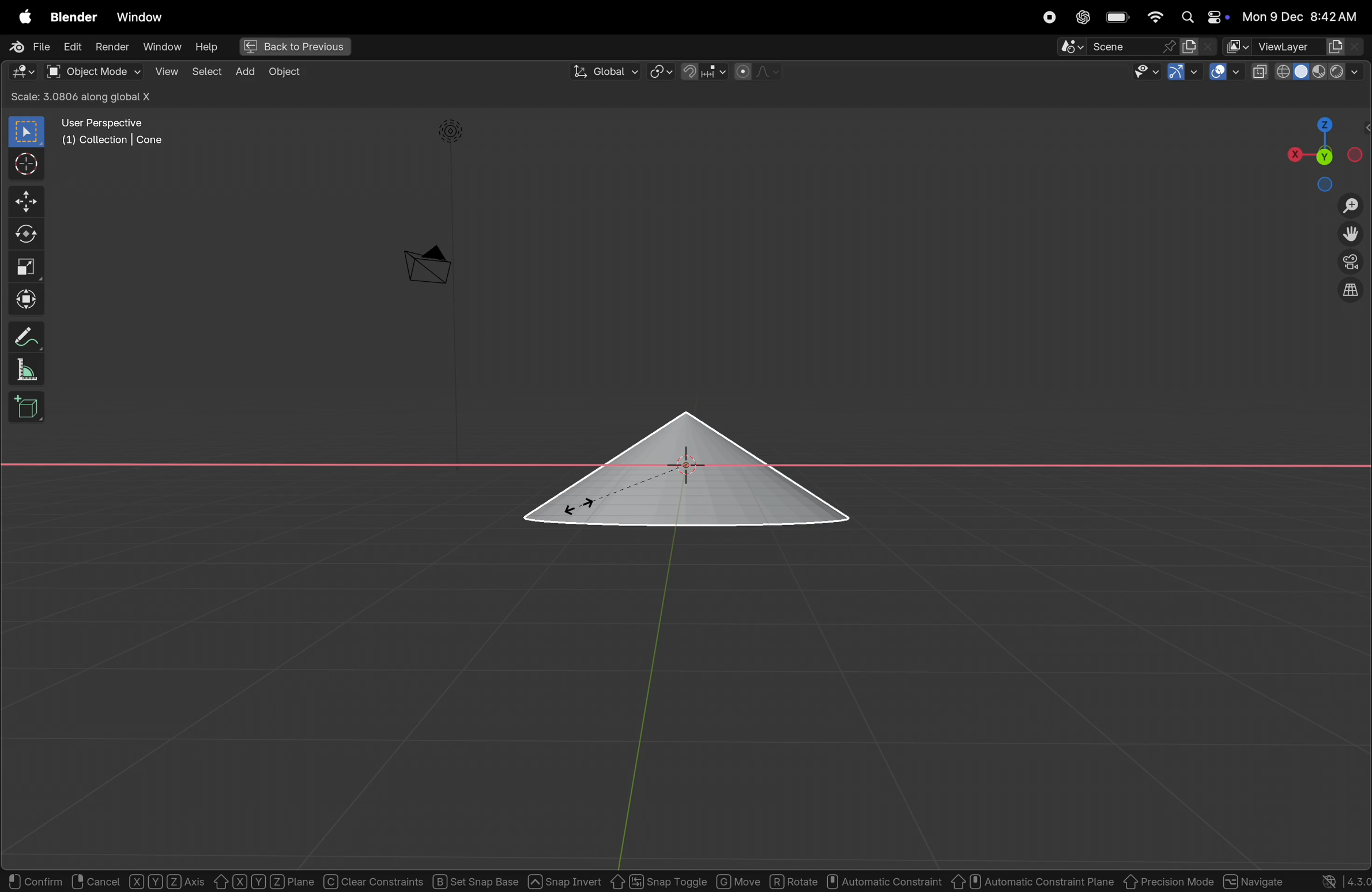 The image size is (1372, 892). What do you see at coordinates (580, 504) in the screenshot?
I see `cursor` at bounding box center [580, 504].